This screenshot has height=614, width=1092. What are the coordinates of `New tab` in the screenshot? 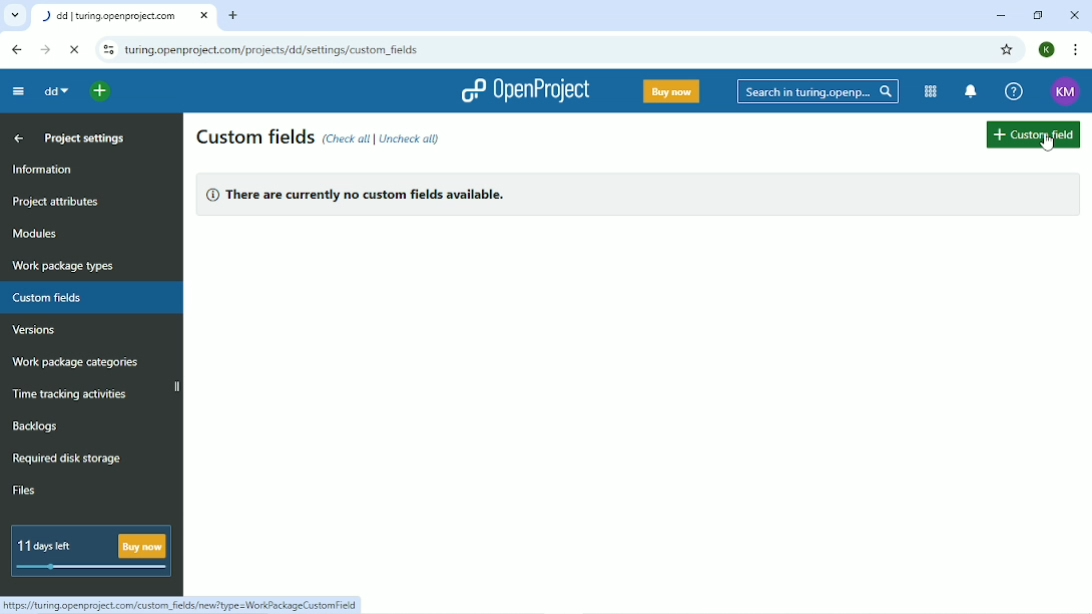 It's located at (235, 16).